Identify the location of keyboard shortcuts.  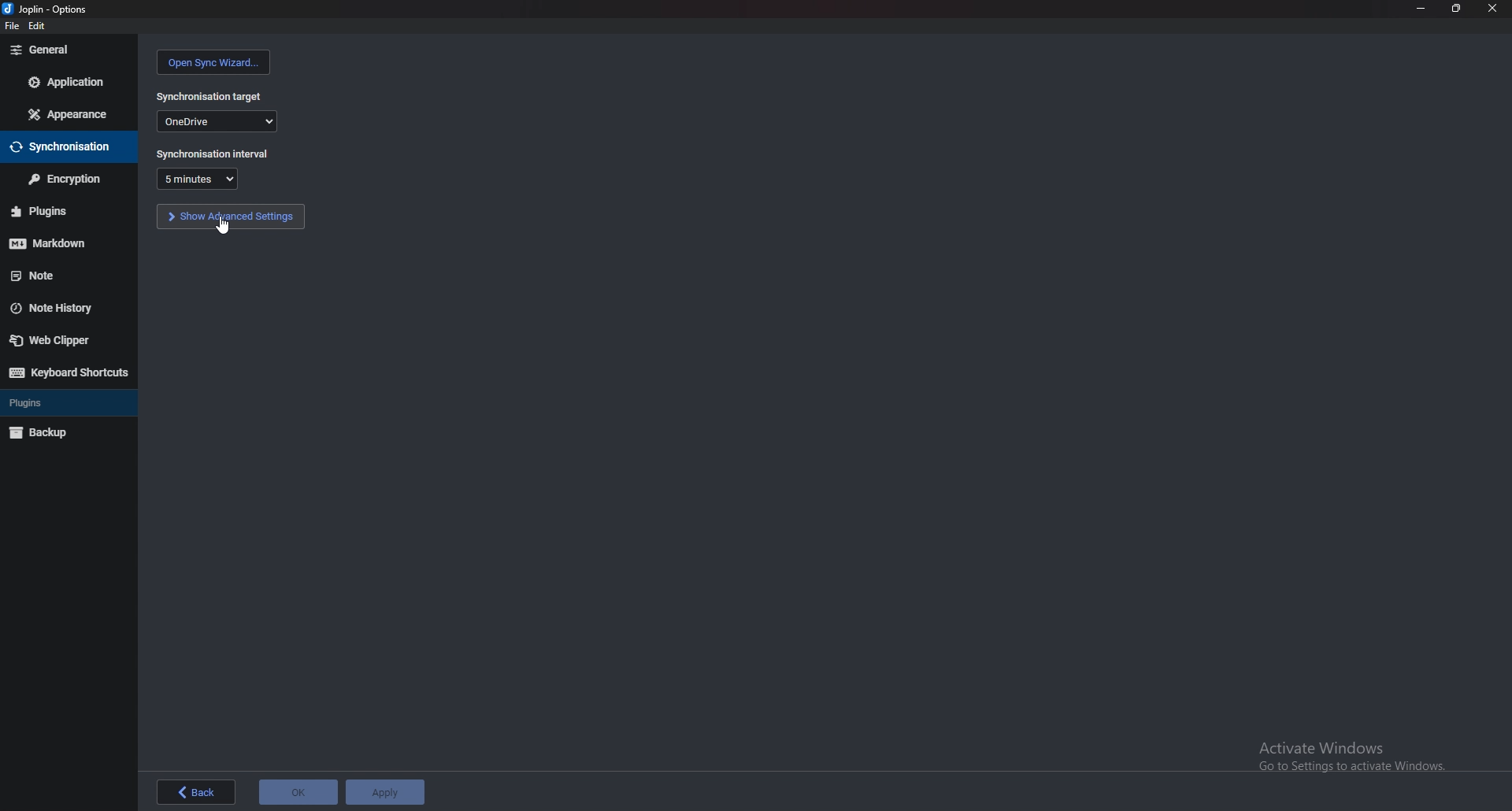
(68, 373).